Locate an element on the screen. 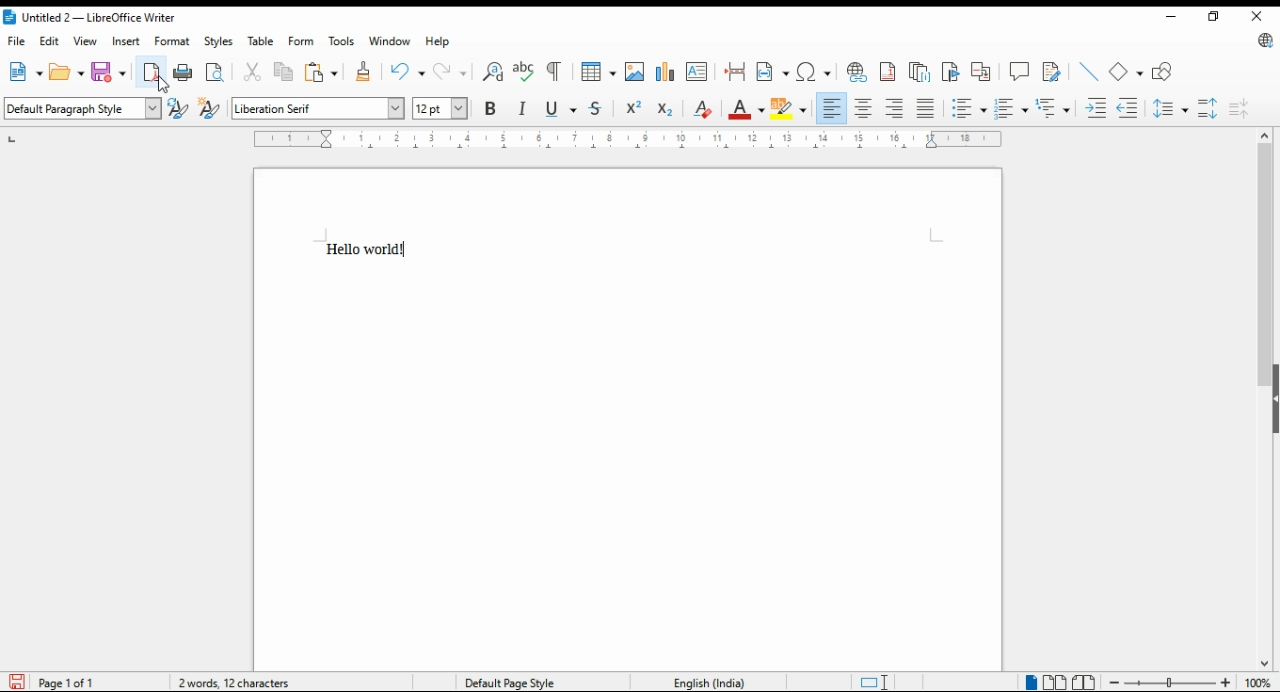  insert image is located at coordinates (635, 72).